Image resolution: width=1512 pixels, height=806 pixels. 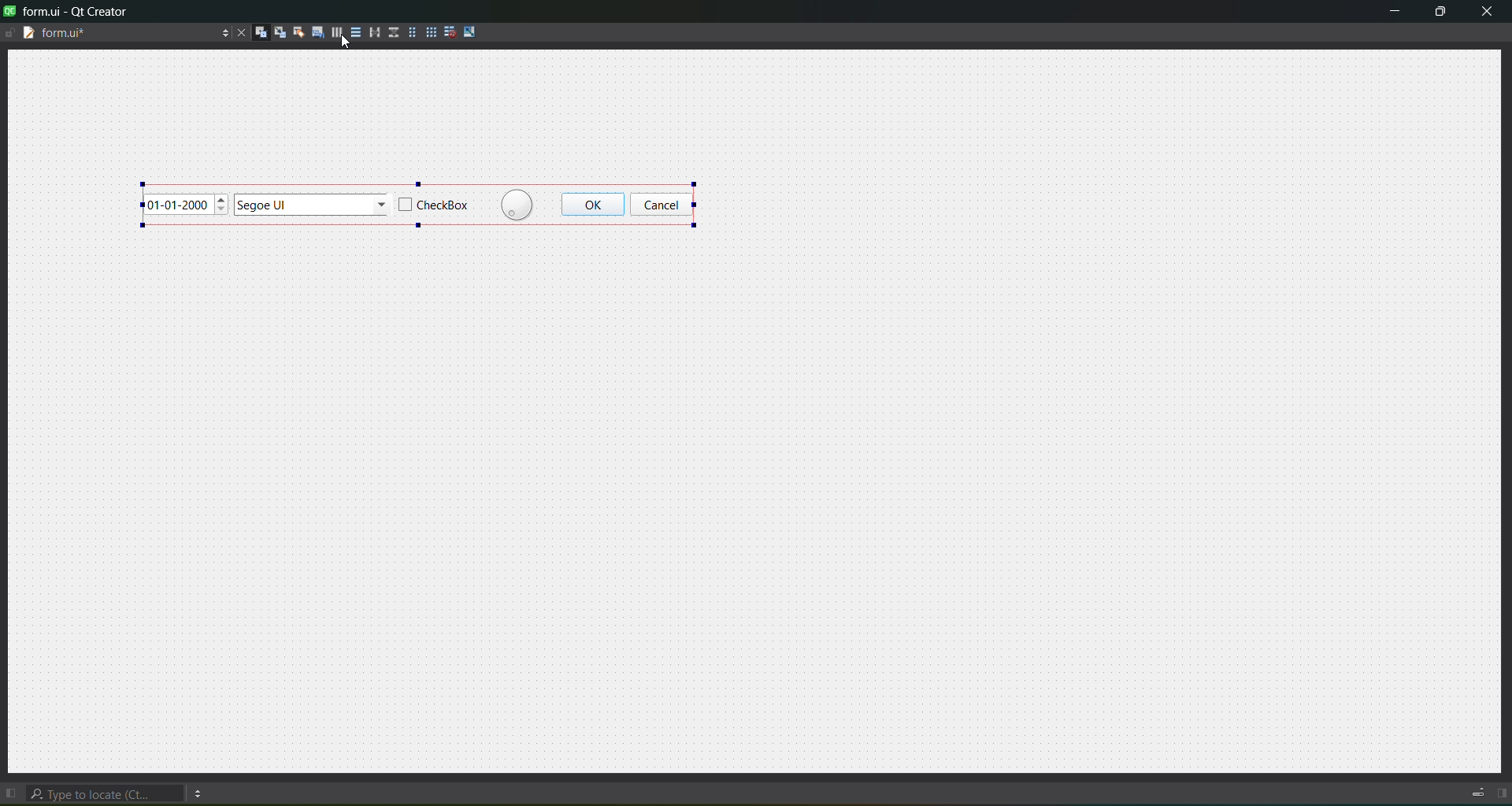 I want to click on writable, so click(x=12, y=35).